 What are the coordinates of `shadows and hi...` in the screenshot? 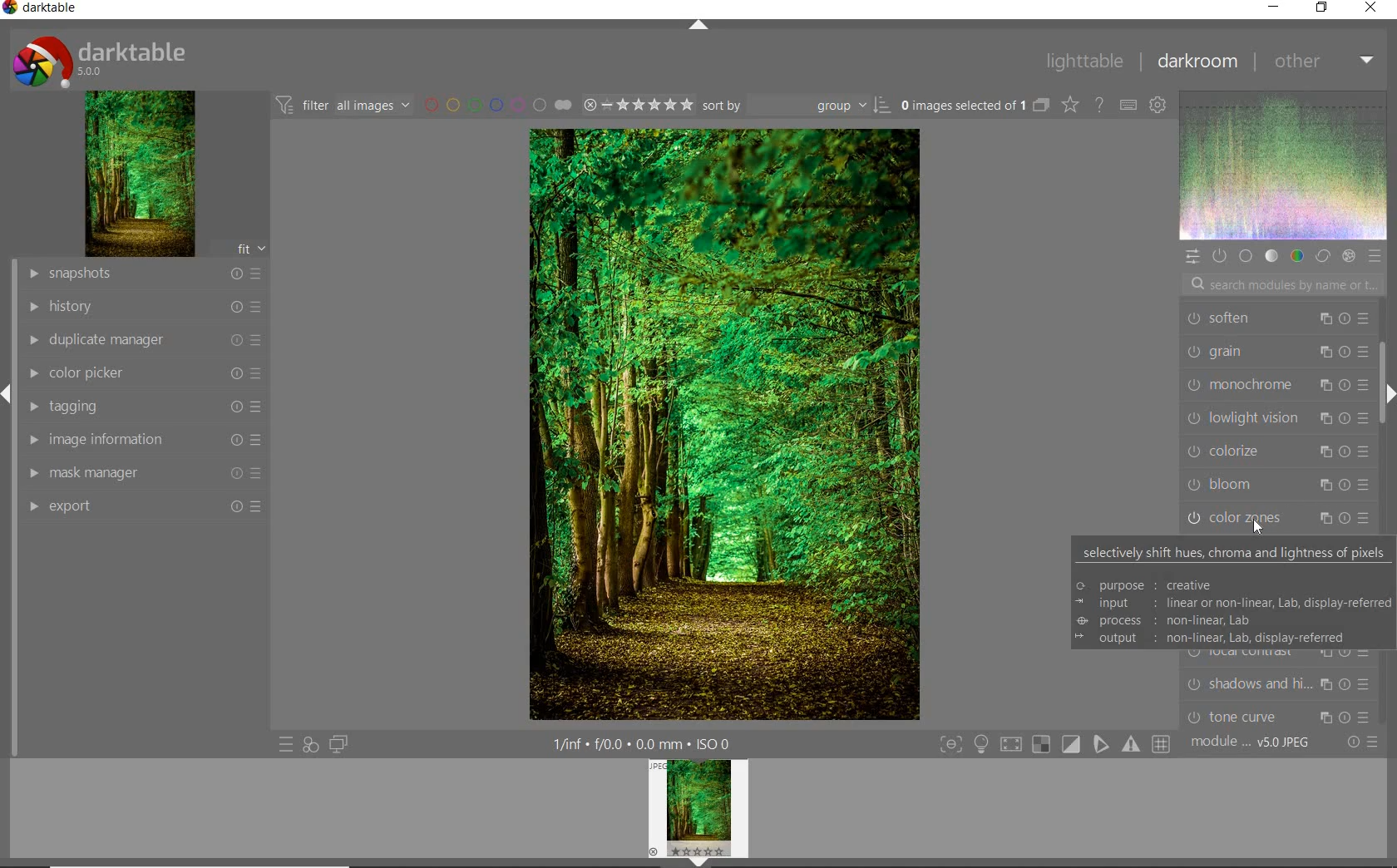 It's located at (1277, 683).